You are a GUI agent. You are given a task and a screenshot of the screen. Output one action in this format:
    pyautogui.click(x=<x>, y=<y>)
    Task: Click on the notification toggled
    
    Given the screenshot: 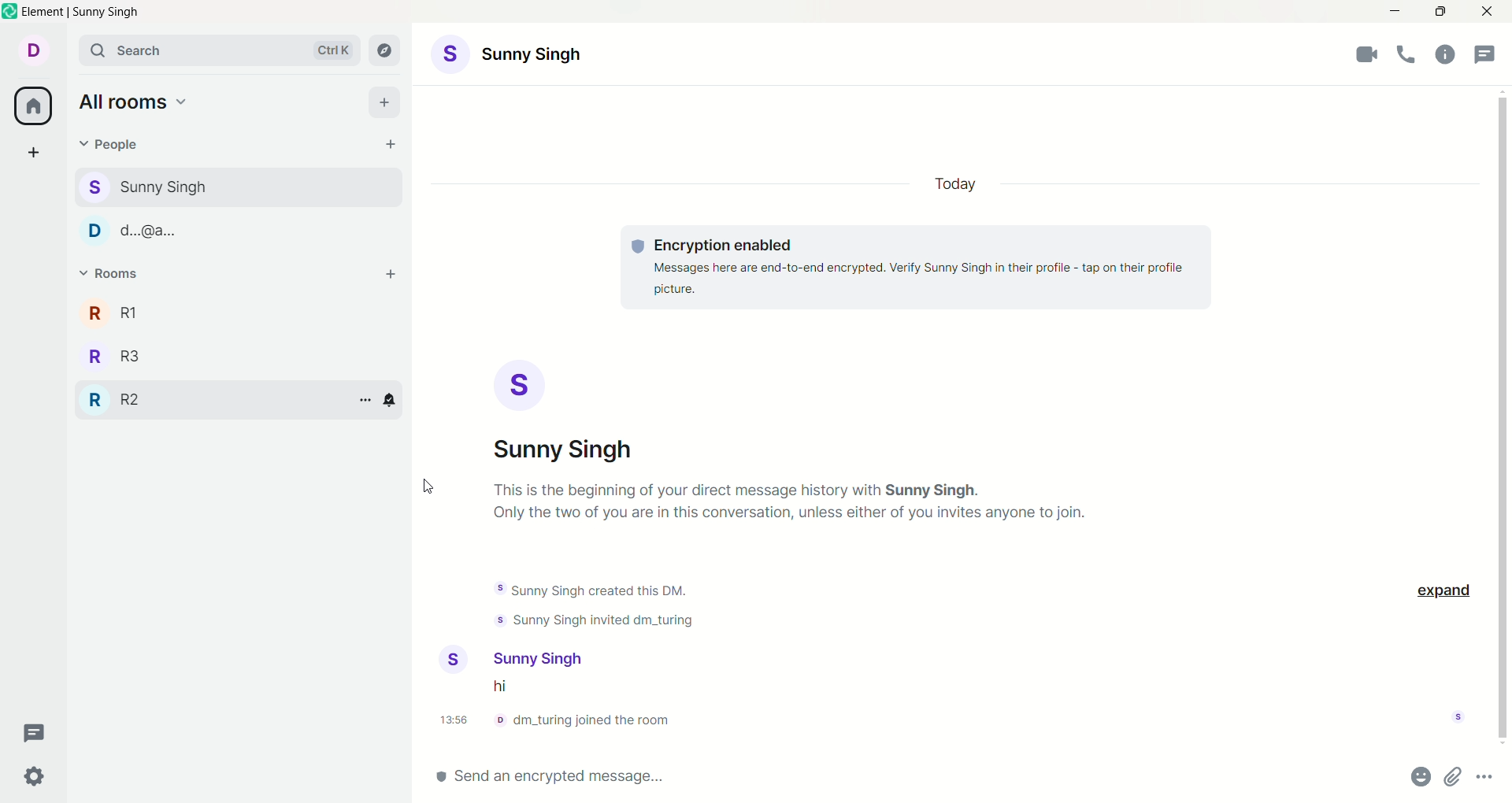 What is the action you would take?
    pyautogui.click(x=389, y=401)
    